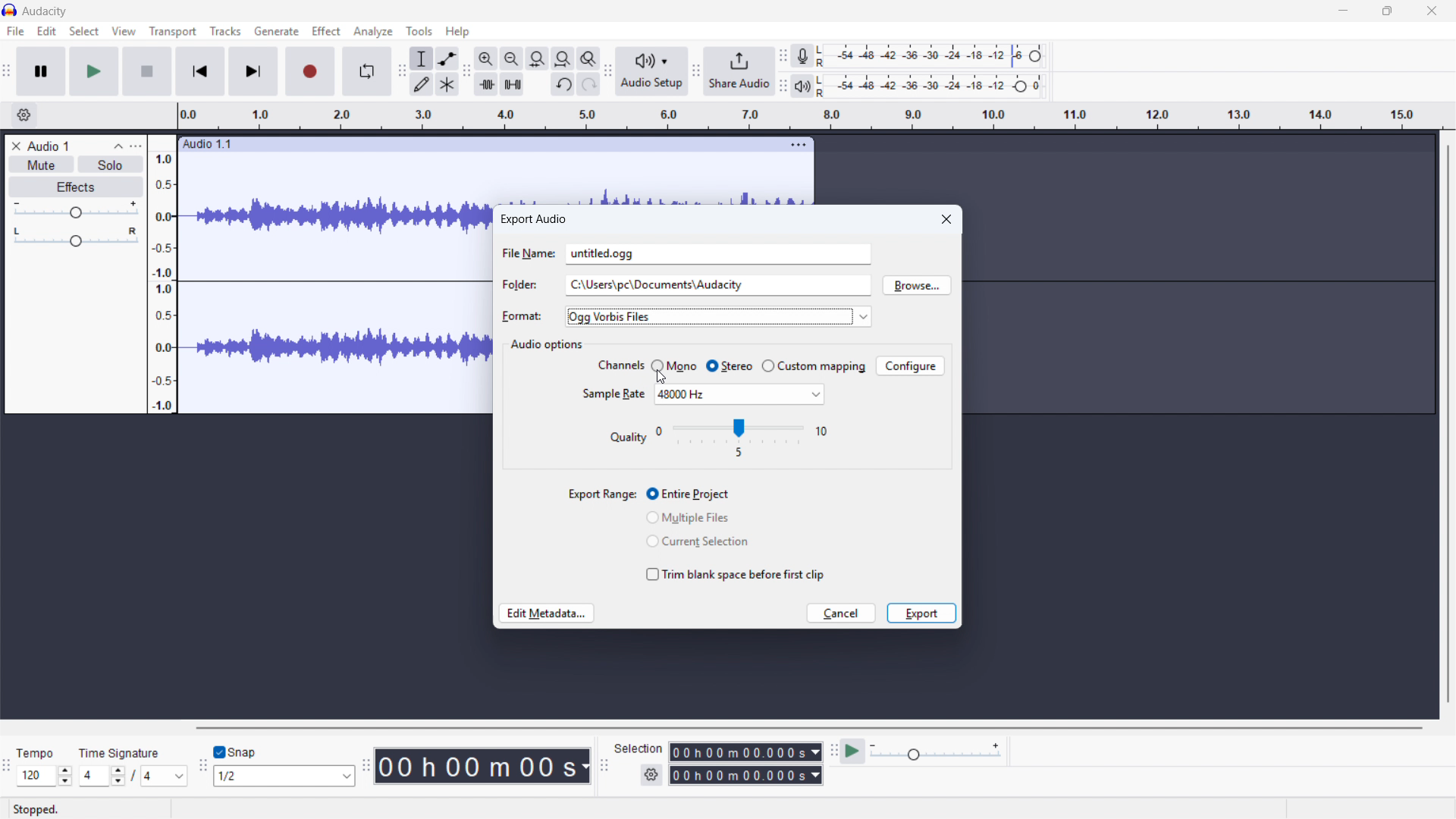  Describe the element at coordinates (74, 211) in the screenshot. I see `gain ` at that location.